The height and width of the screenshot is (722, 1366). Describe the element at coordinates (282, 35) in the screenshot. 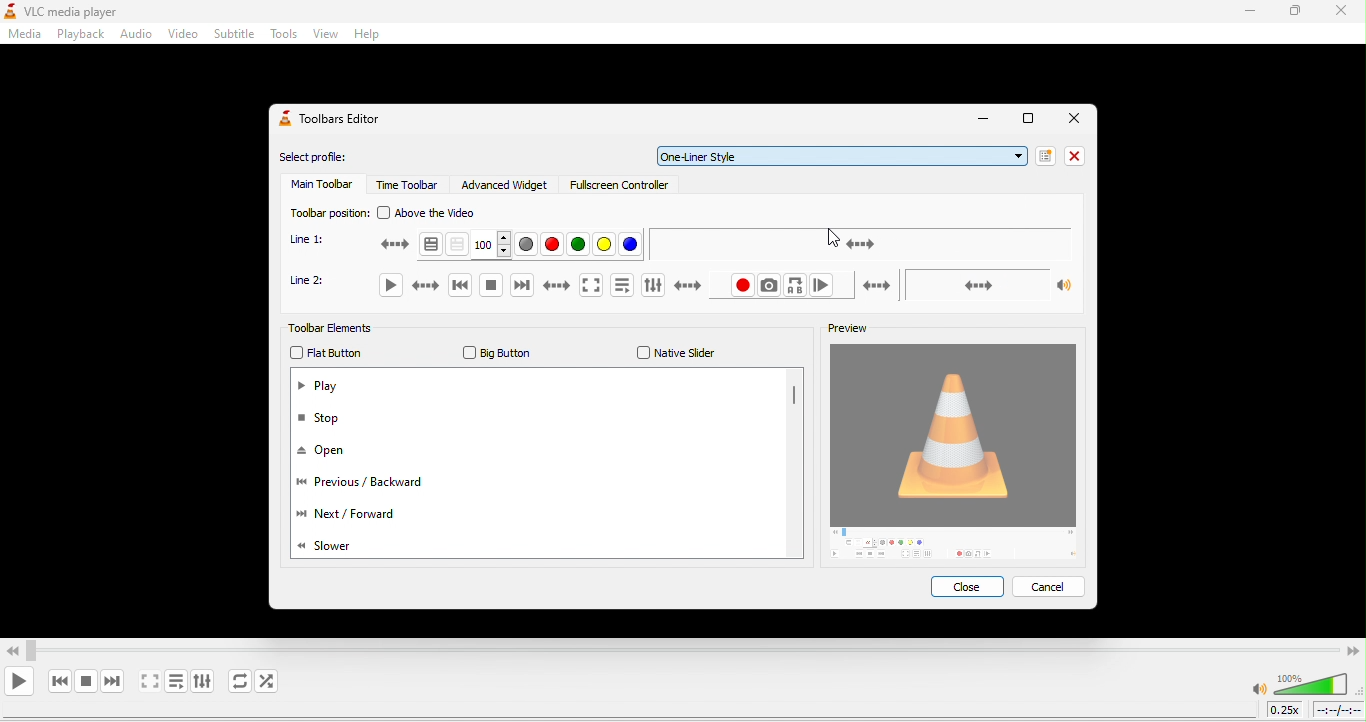

I see `tools` at that location.